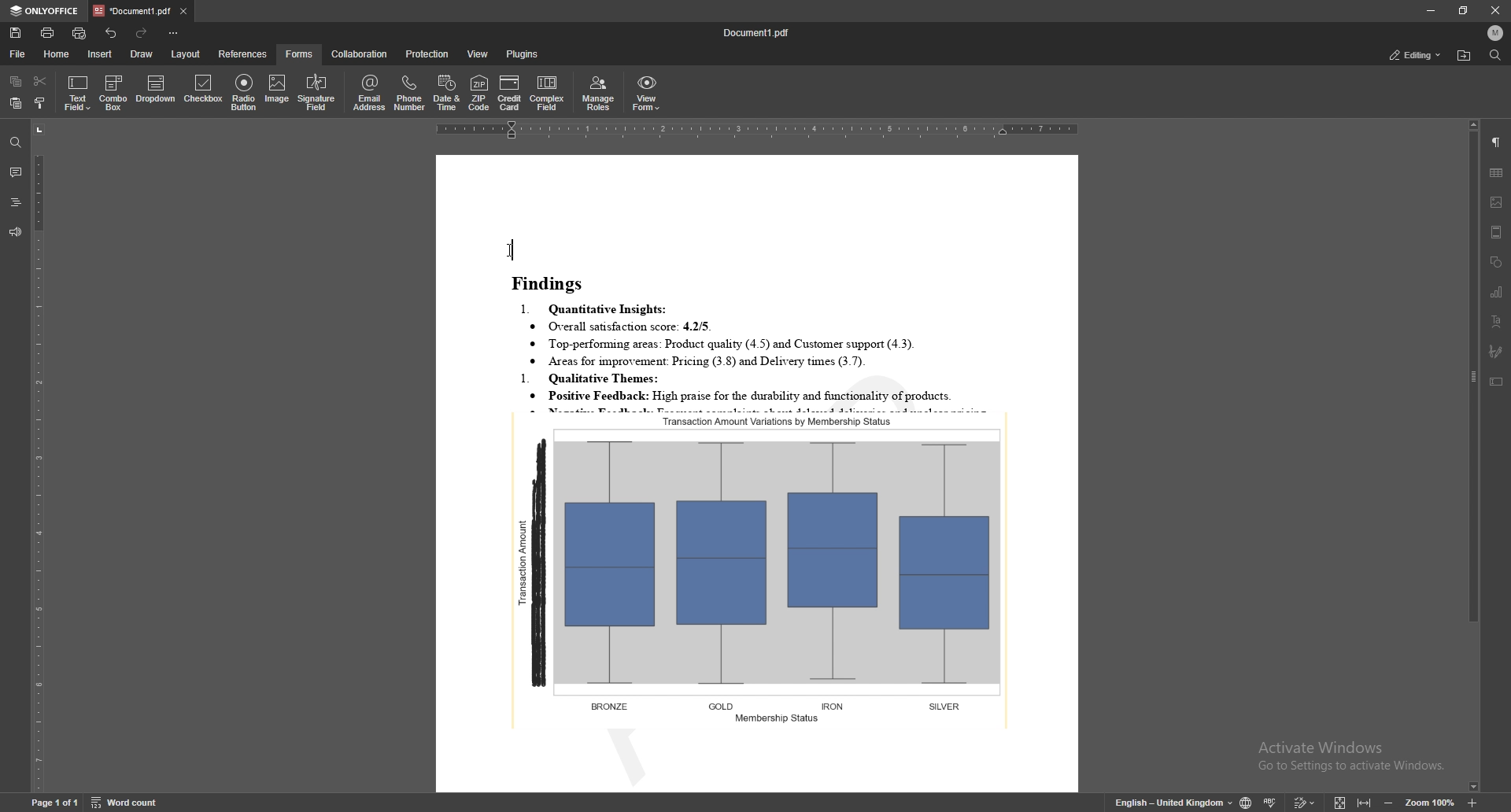 The width and height of the screenshot is (1511, 812). Describe the element at coordinates (1475, 803) in the screenshot. I see `zoom in` at that location.